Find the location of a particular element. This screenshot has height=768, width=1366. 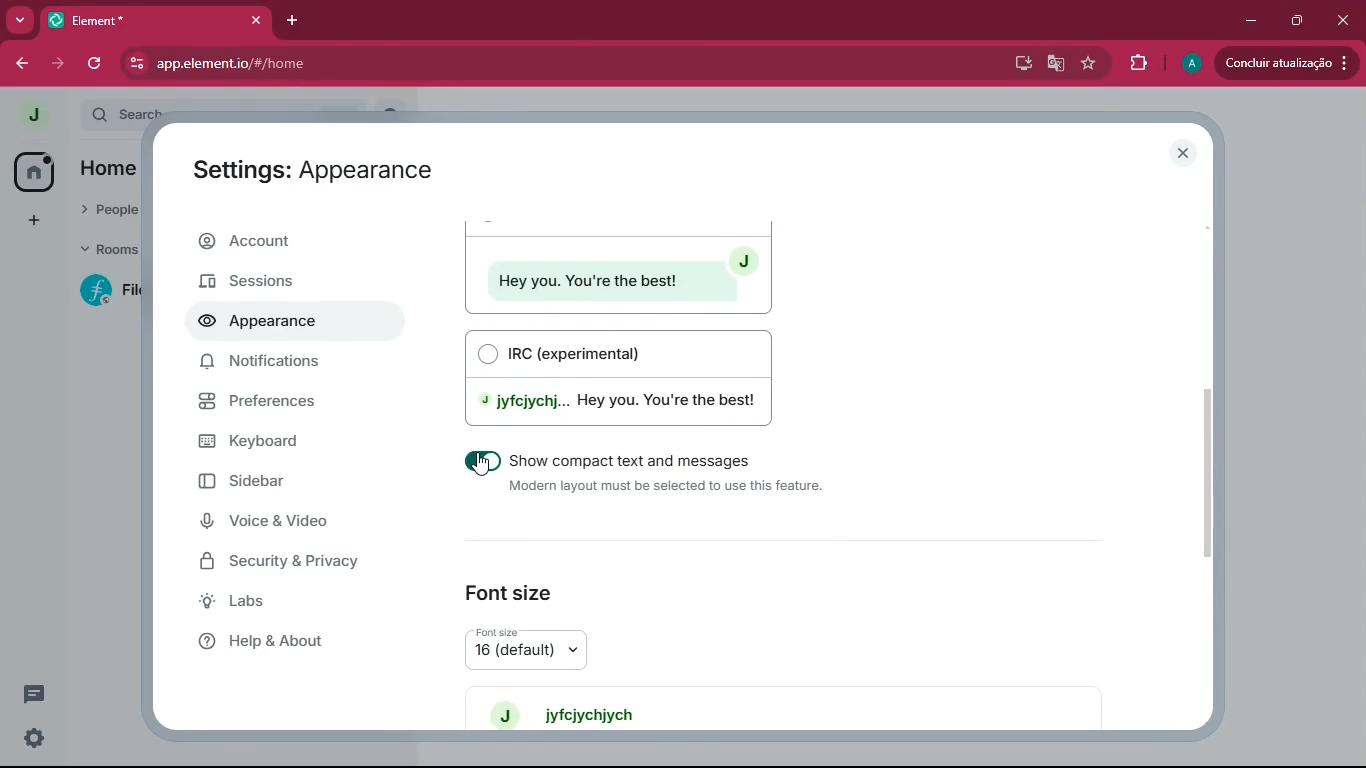

labs is located at coordinates (286, 603).